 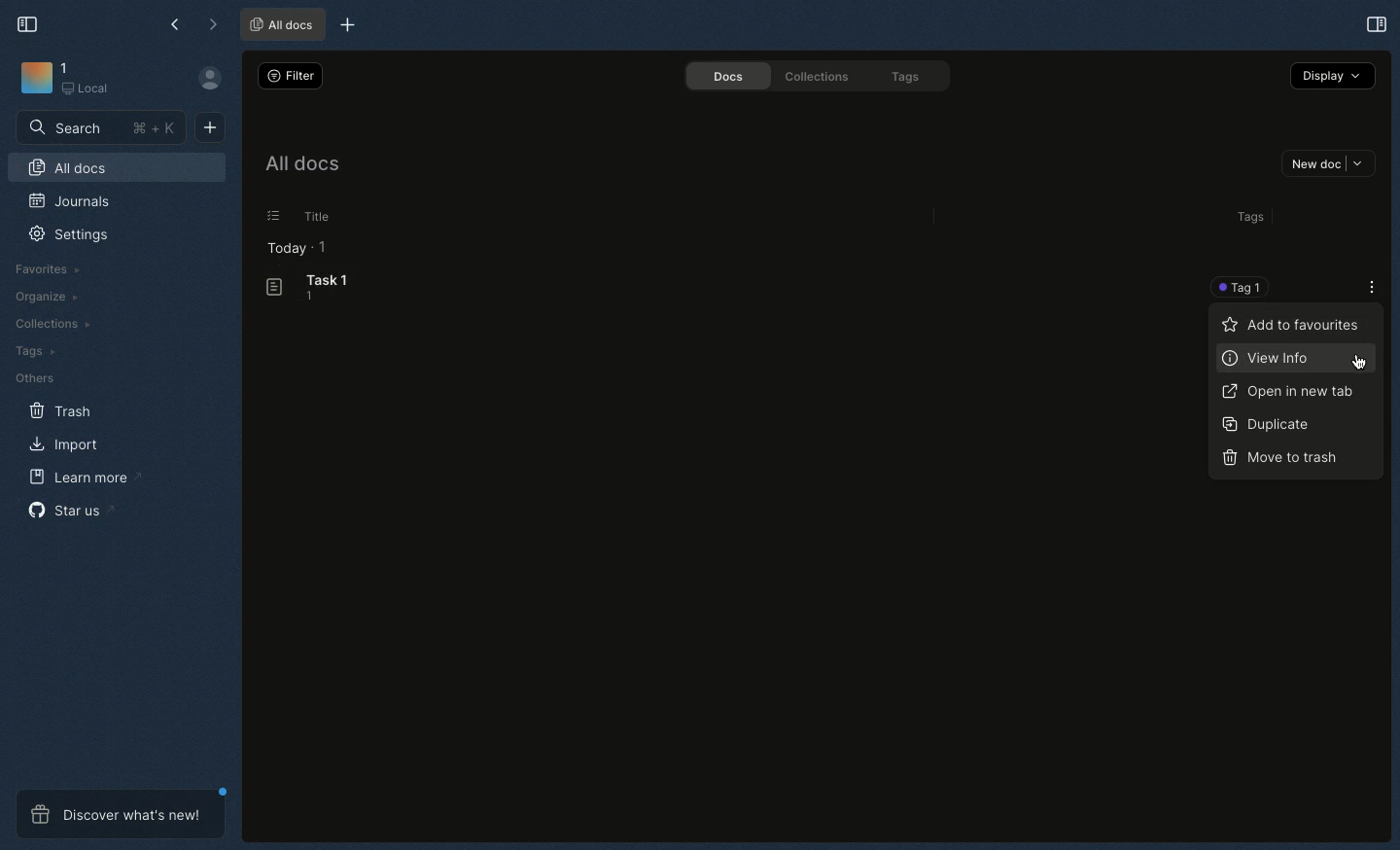 I want to click on Left arrow, so click(x=170, y=22).